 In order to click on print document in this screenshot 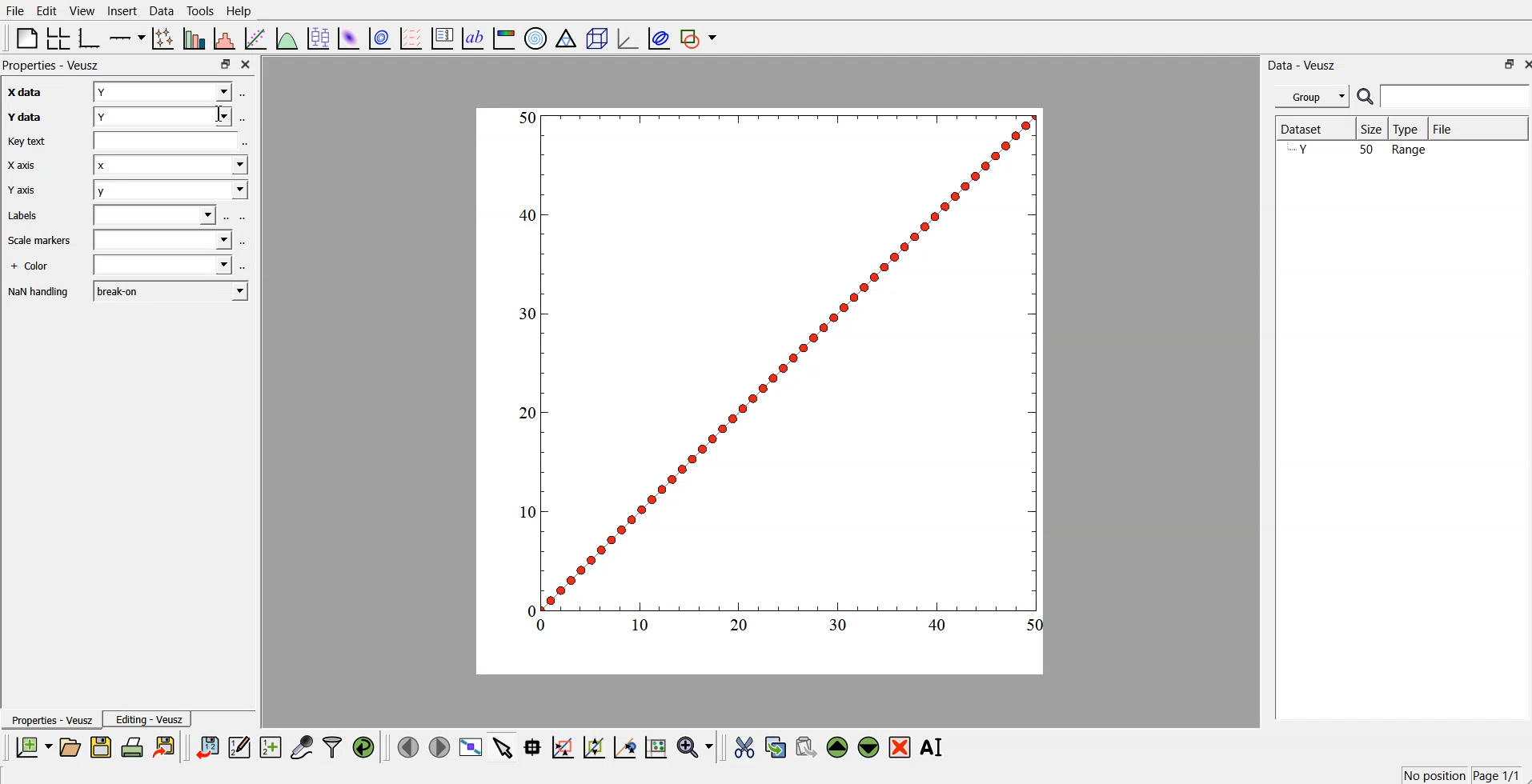, I will do `click(133, 749)`.